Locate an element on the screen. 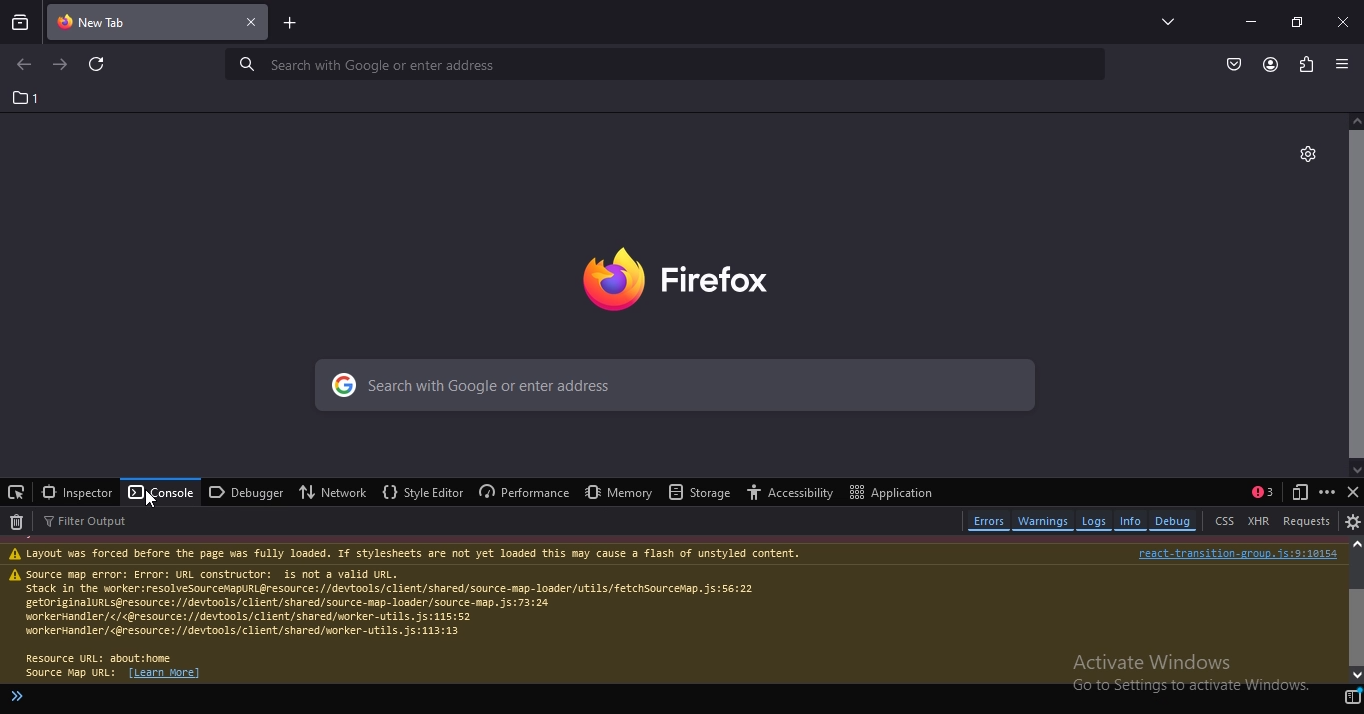  close is located at coordinates (1352, 491).